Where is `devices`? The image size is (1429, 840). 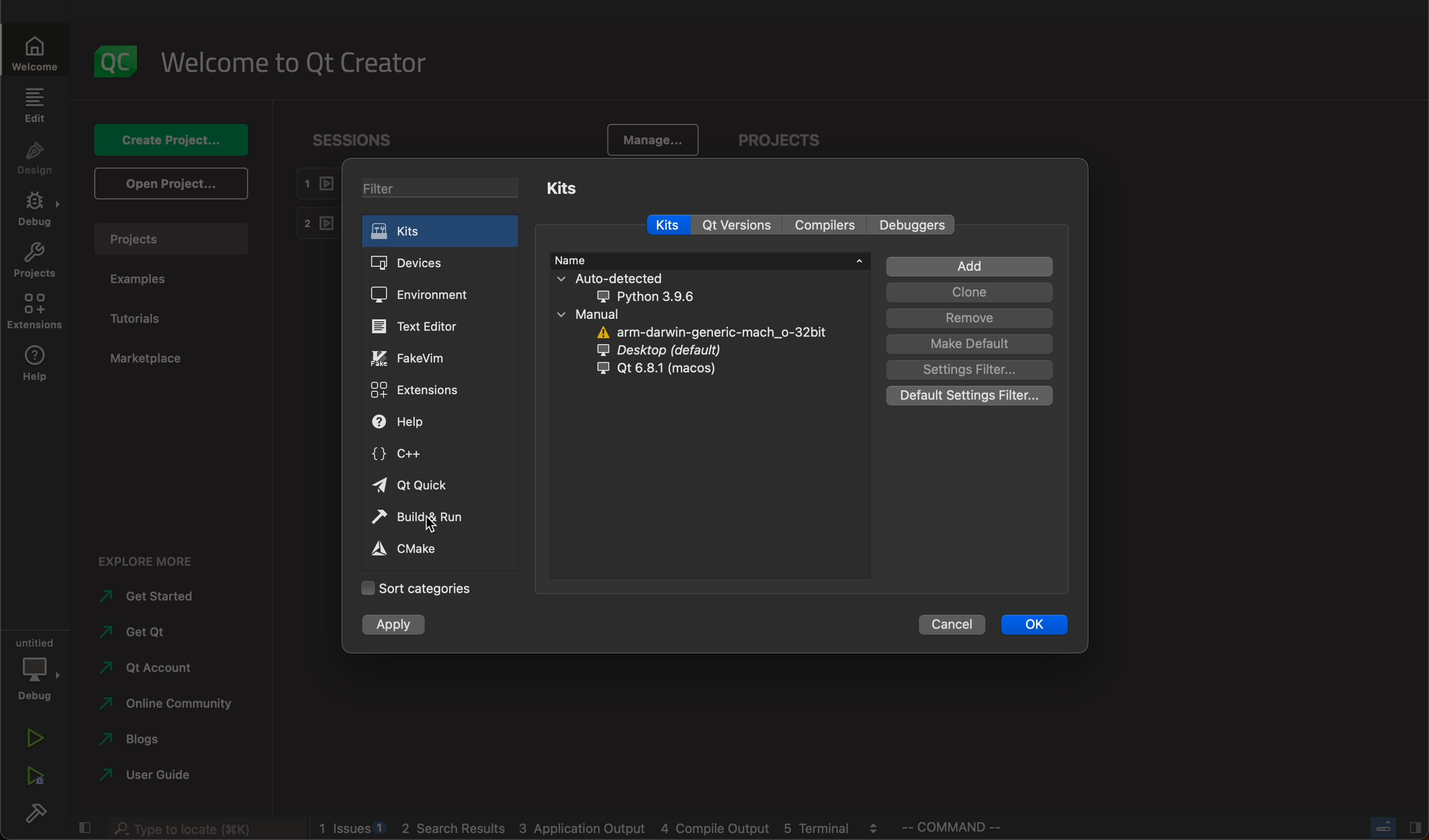 devices is located at coordinates (437, 261).